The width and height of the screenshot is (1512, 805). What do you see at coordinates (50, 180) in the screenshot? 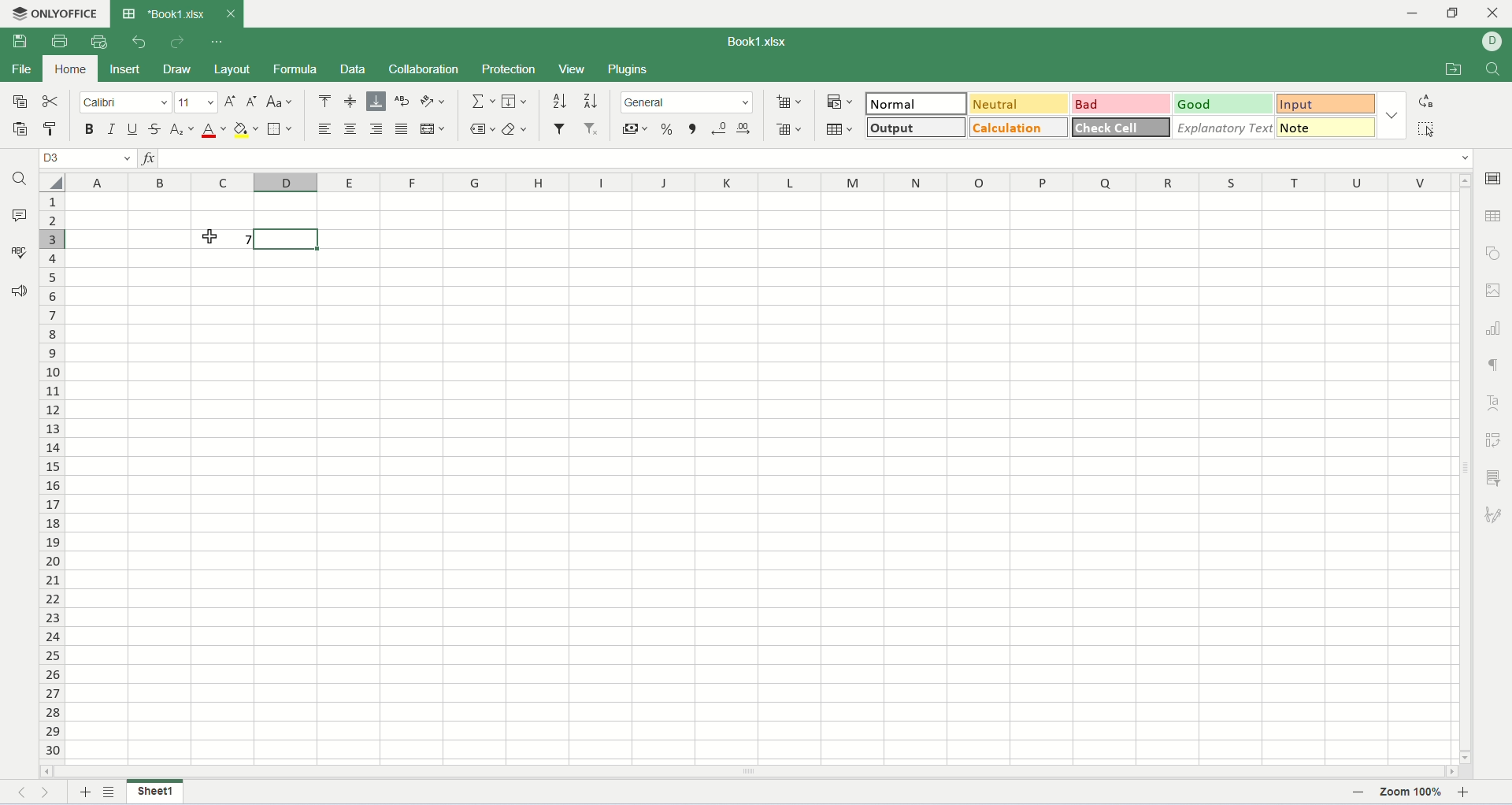
I see `select all` at bounding box center [50, 180].